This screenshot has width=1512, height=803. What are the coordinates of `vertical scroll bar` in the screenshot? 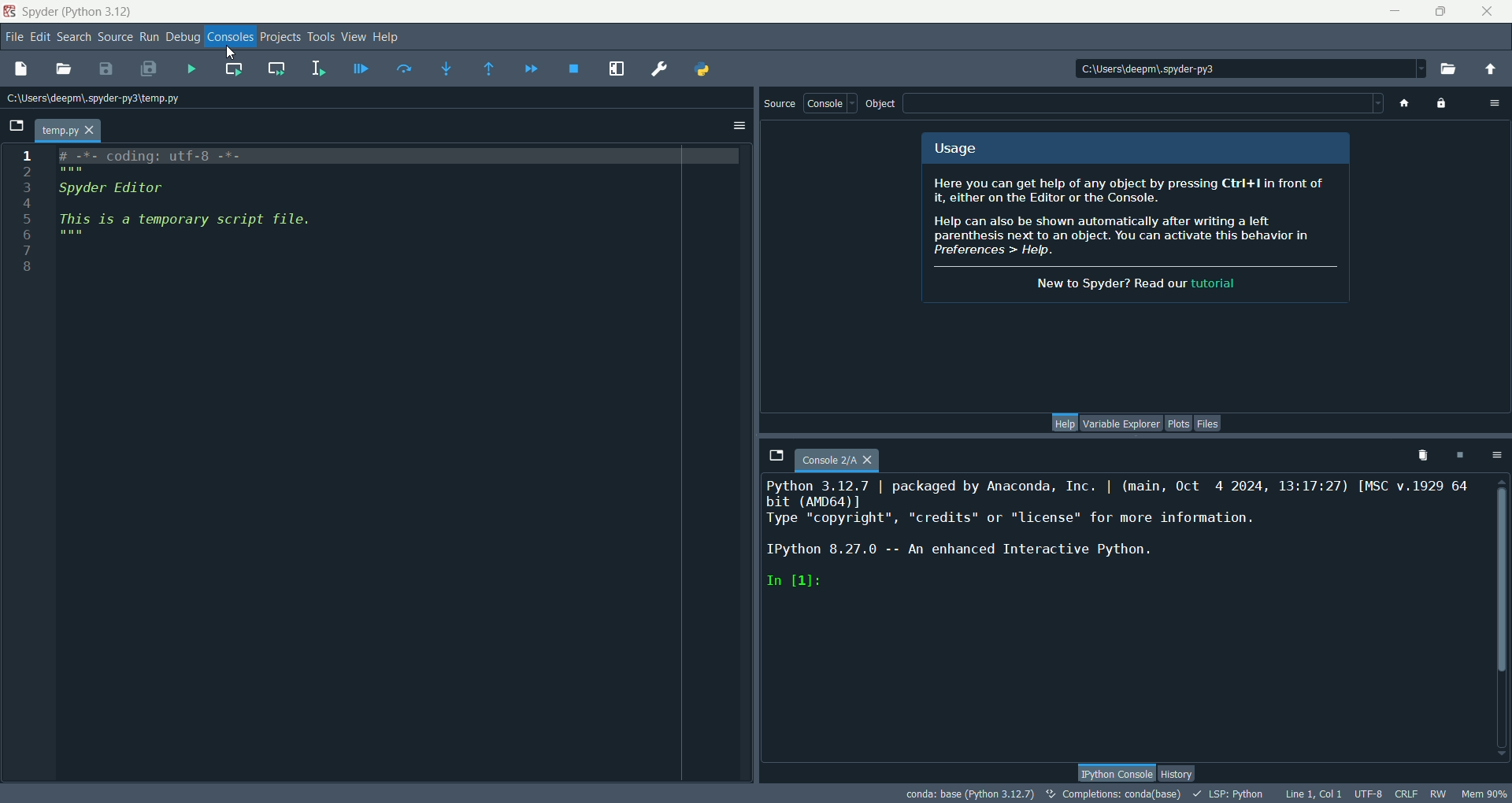 It's located at (1503, 612).